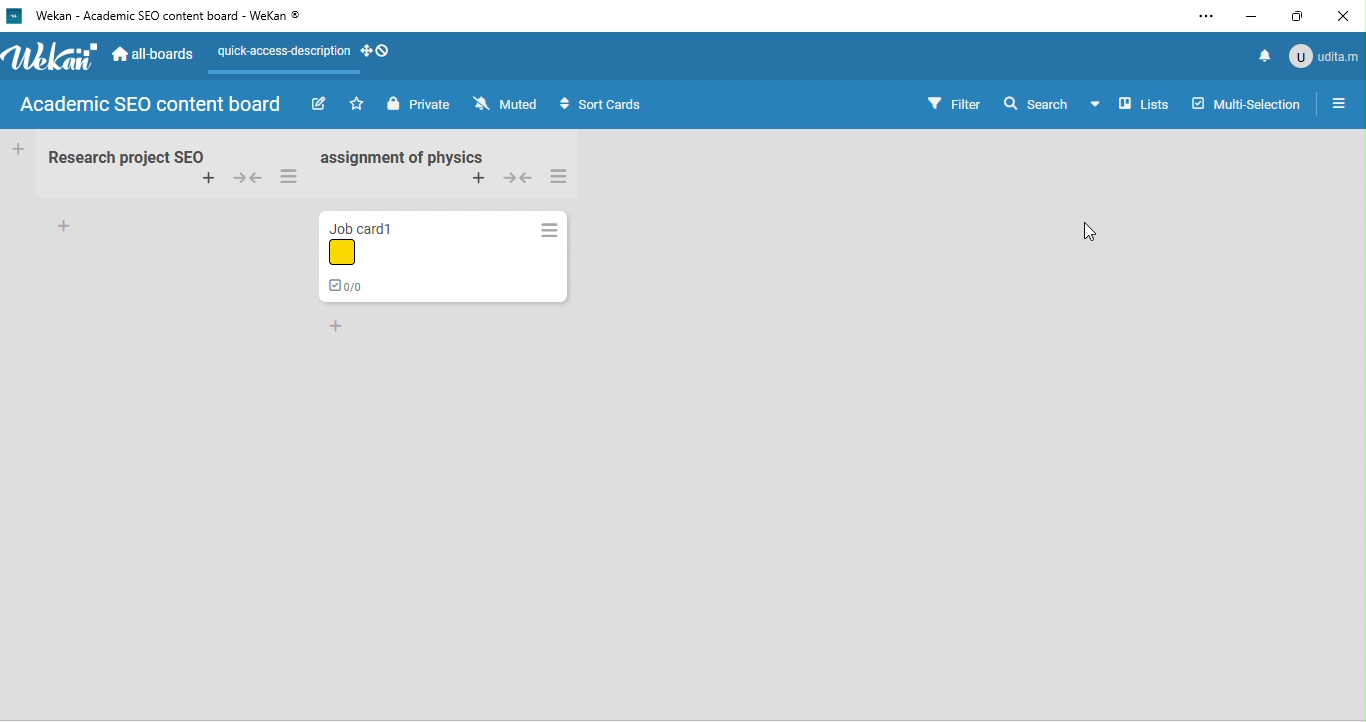 The image size is (1366, 722). What do you see at coordinates (1267, 55) in the screenshot?
I see `notification` at bounding box center [1267, 55].